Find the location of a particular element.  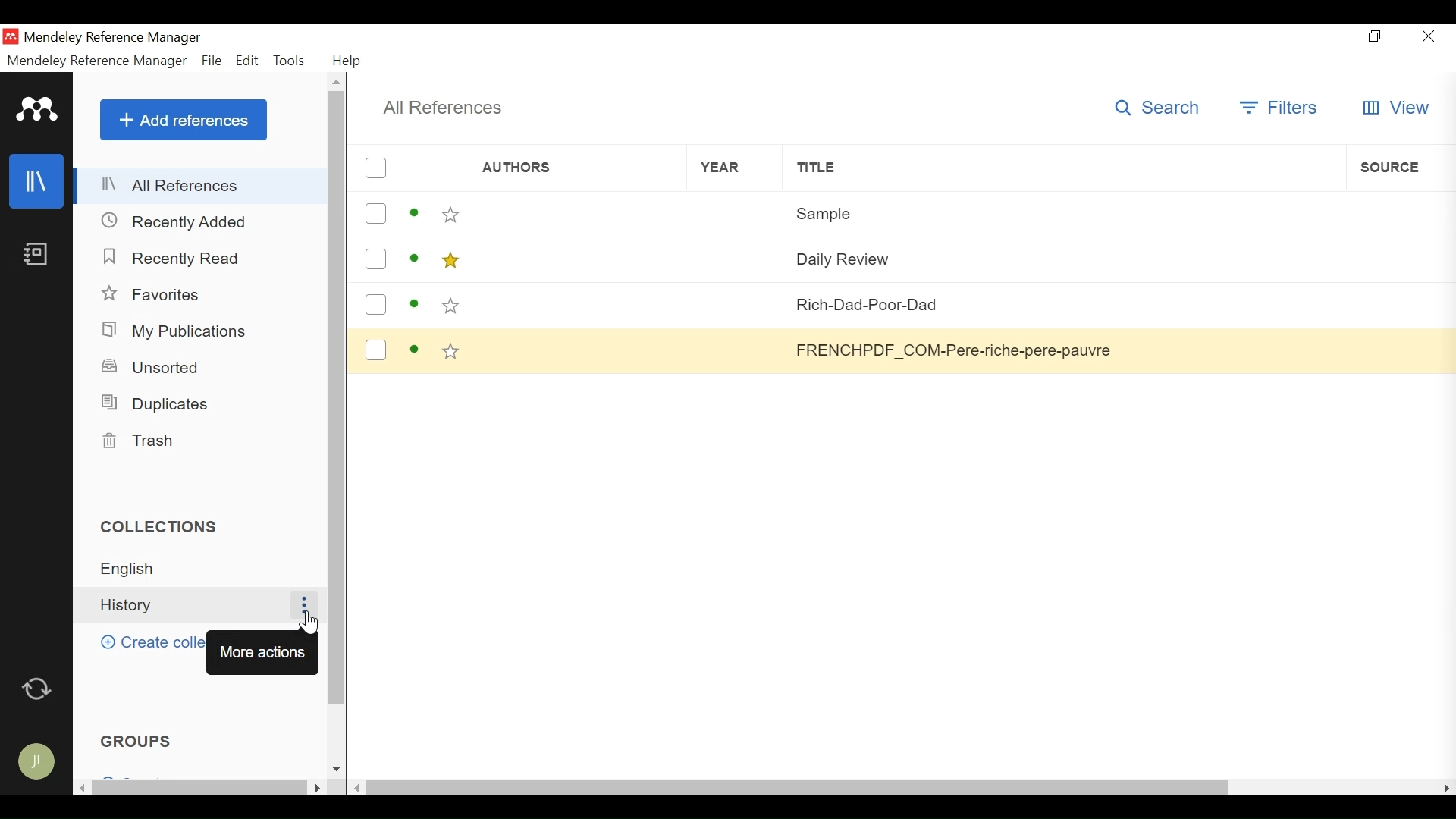

Scroll left is located at coordinates (360, 786).